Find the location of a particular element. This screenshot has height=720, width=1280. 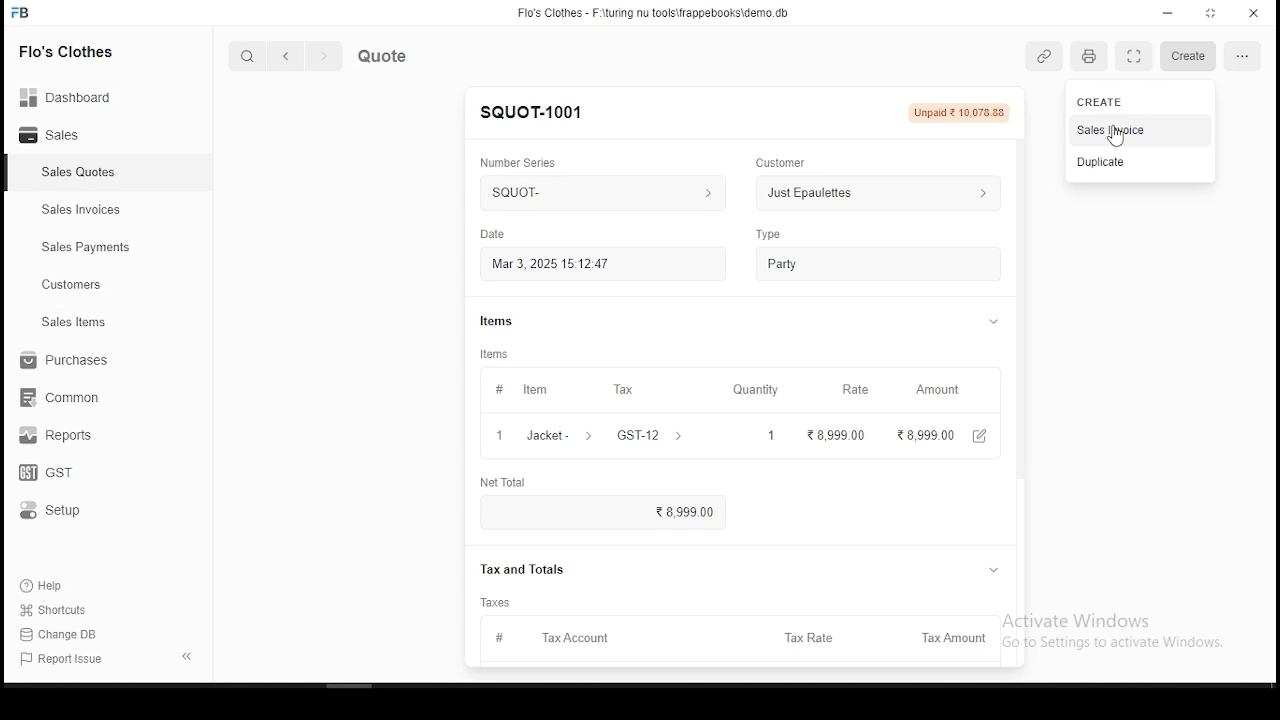

GST is located at coordinates (63, 474).